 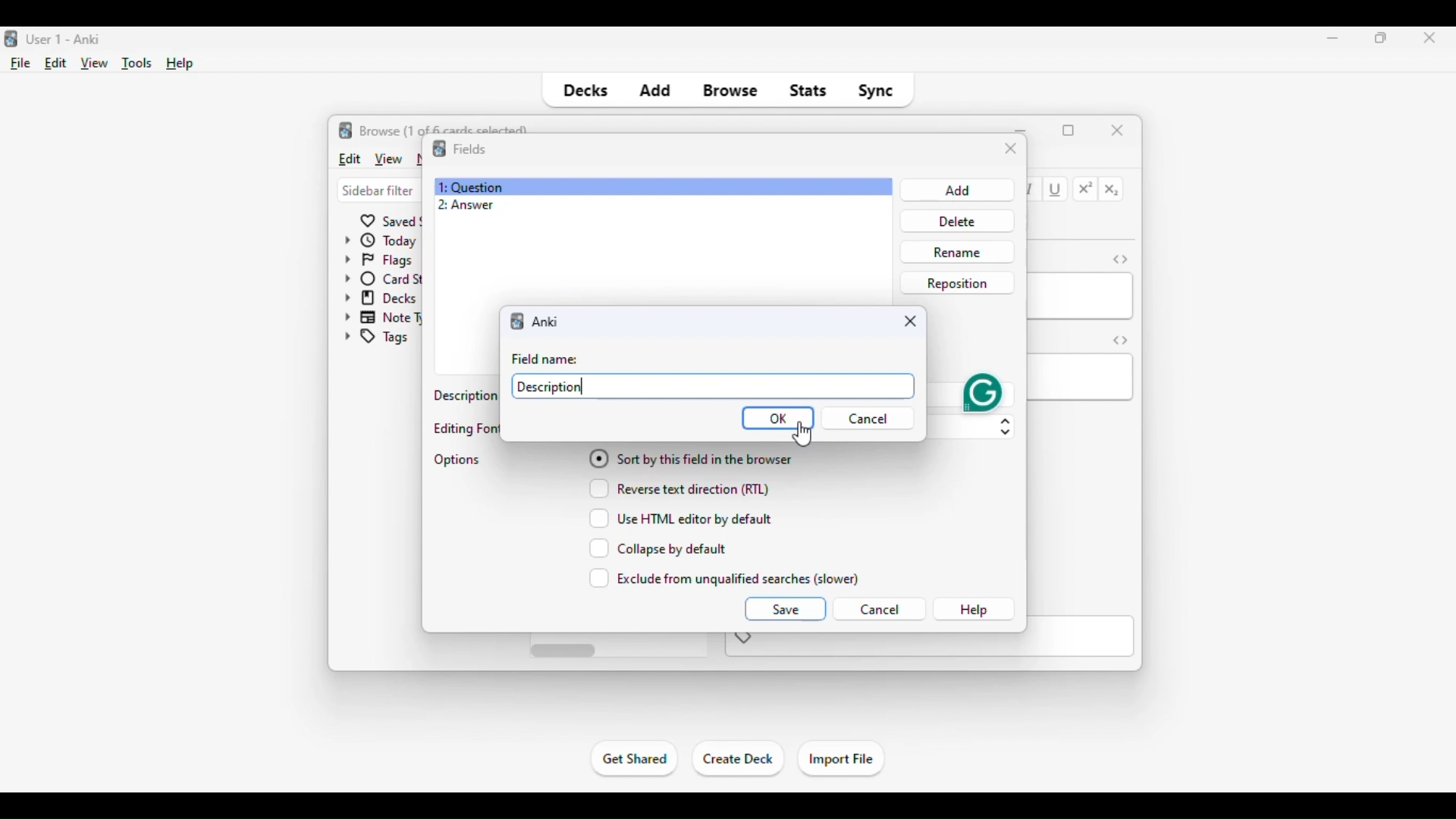 I want to click on toggle HTML editor, so click(x=1120, y=259).